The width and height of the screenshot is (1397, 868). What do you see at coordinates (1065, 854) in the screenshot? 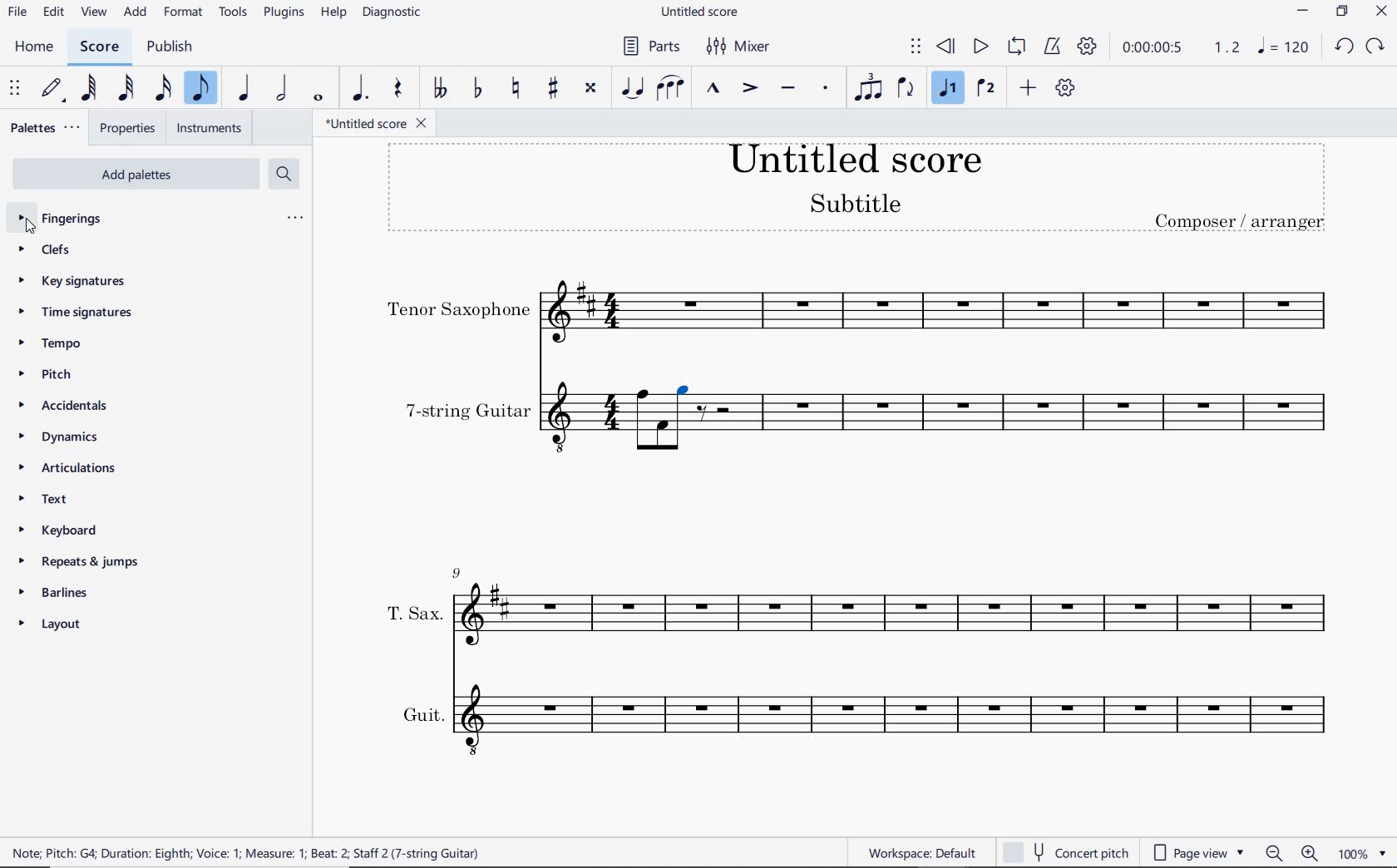
I see `CONCERT PITCH` at bounding box center [1065, 854].